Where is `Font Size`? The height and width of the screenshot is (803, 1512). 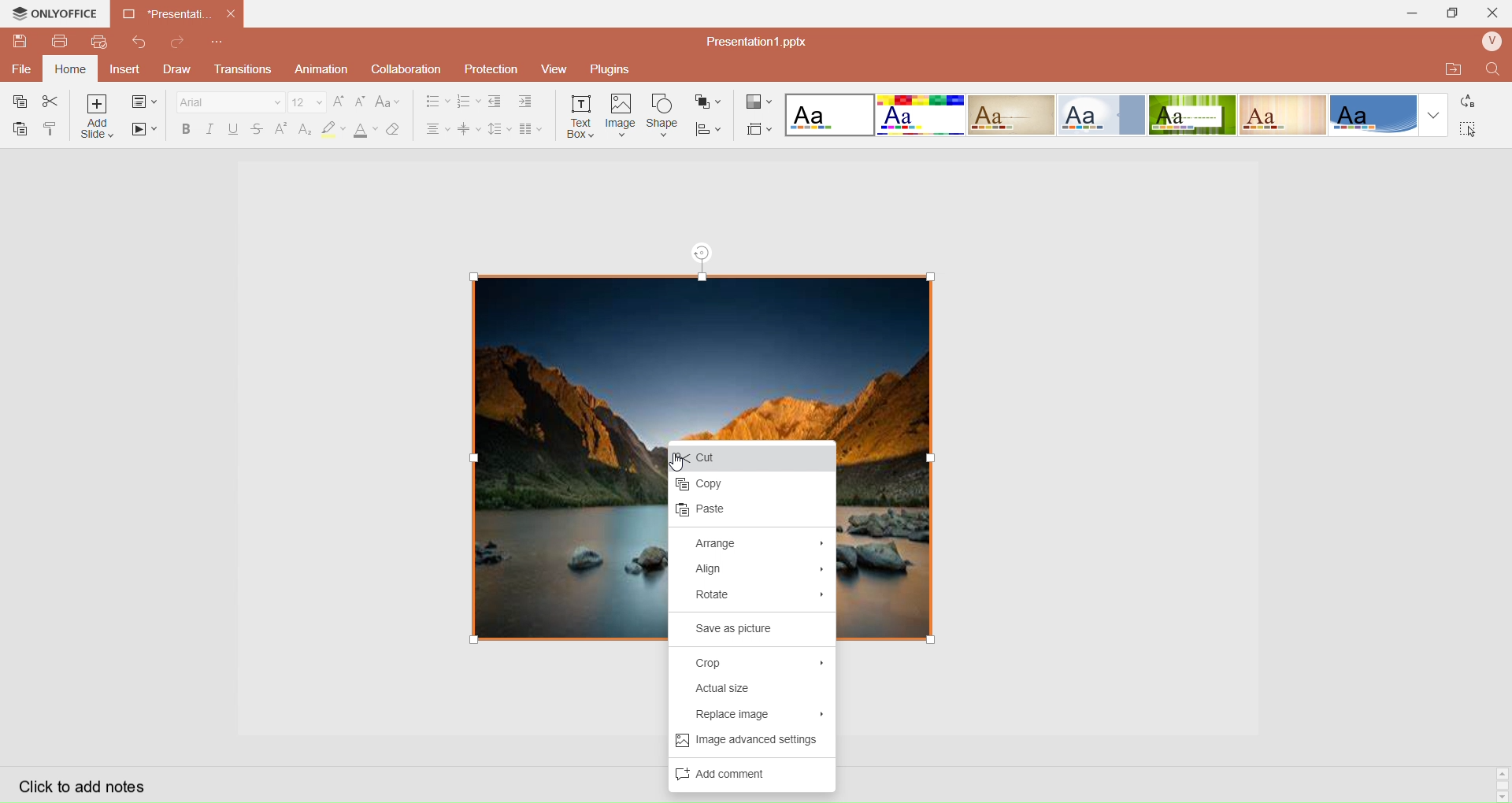 Font Size is located at coordinates (307, 103).